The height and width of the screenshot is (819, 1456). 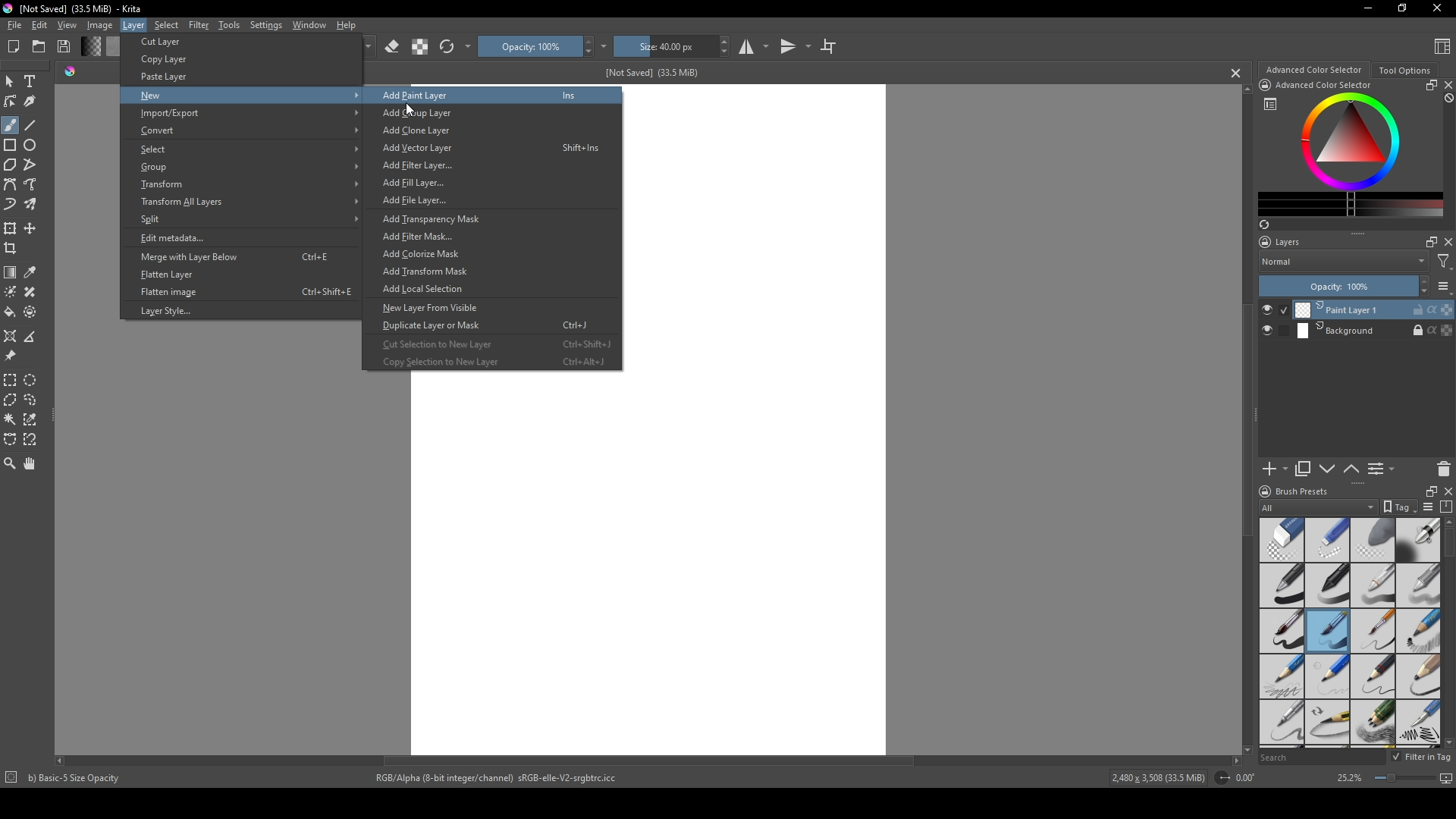 I want to click on pencil, so click(x=1280, y=676).